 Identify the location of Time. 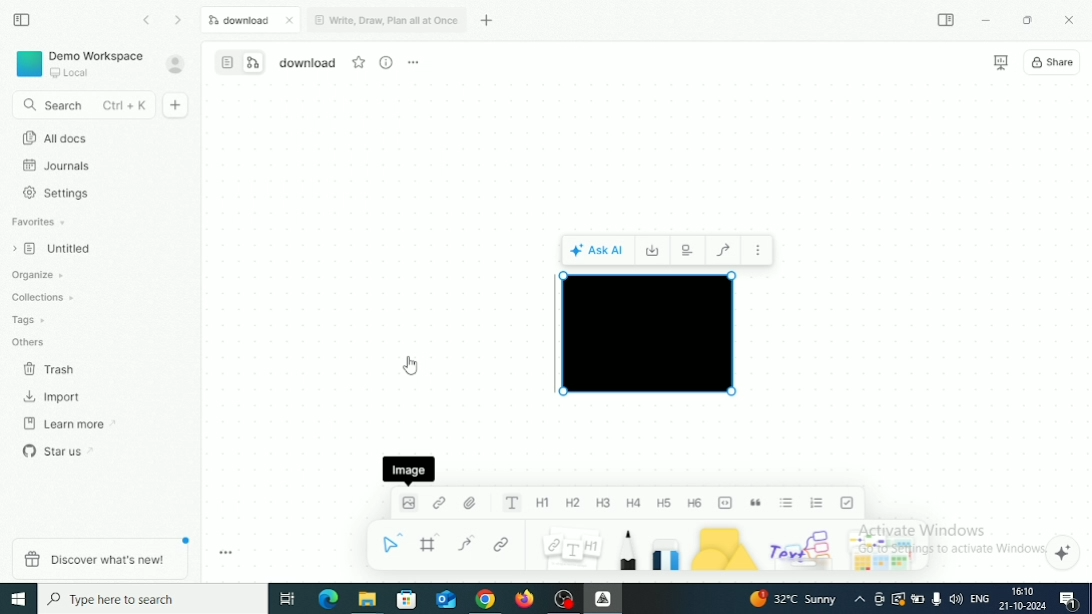
(1023, 590).